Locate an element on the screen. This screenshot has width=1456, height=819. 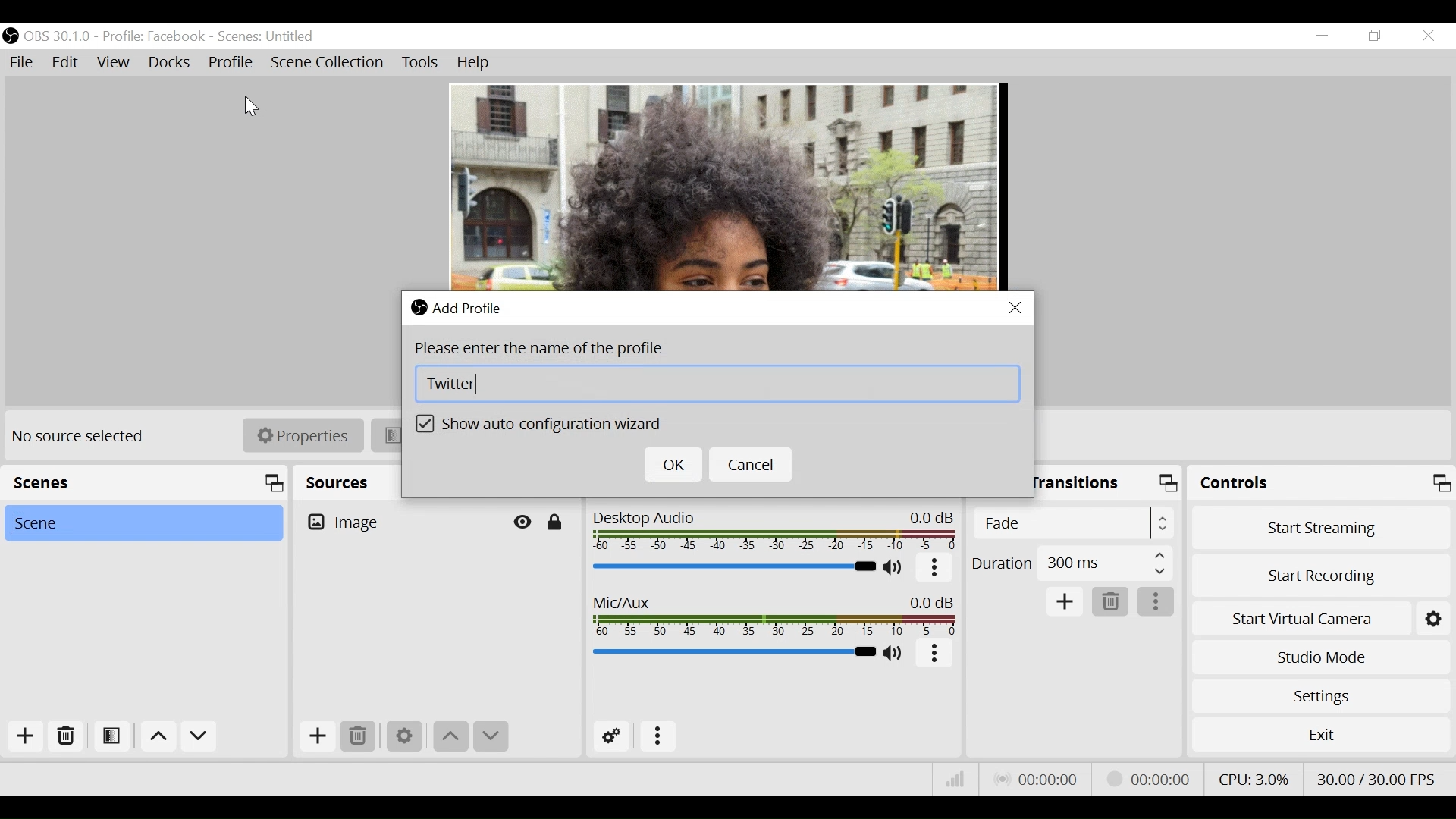
Open Scene Filter  is located at coordinates (108, 739).